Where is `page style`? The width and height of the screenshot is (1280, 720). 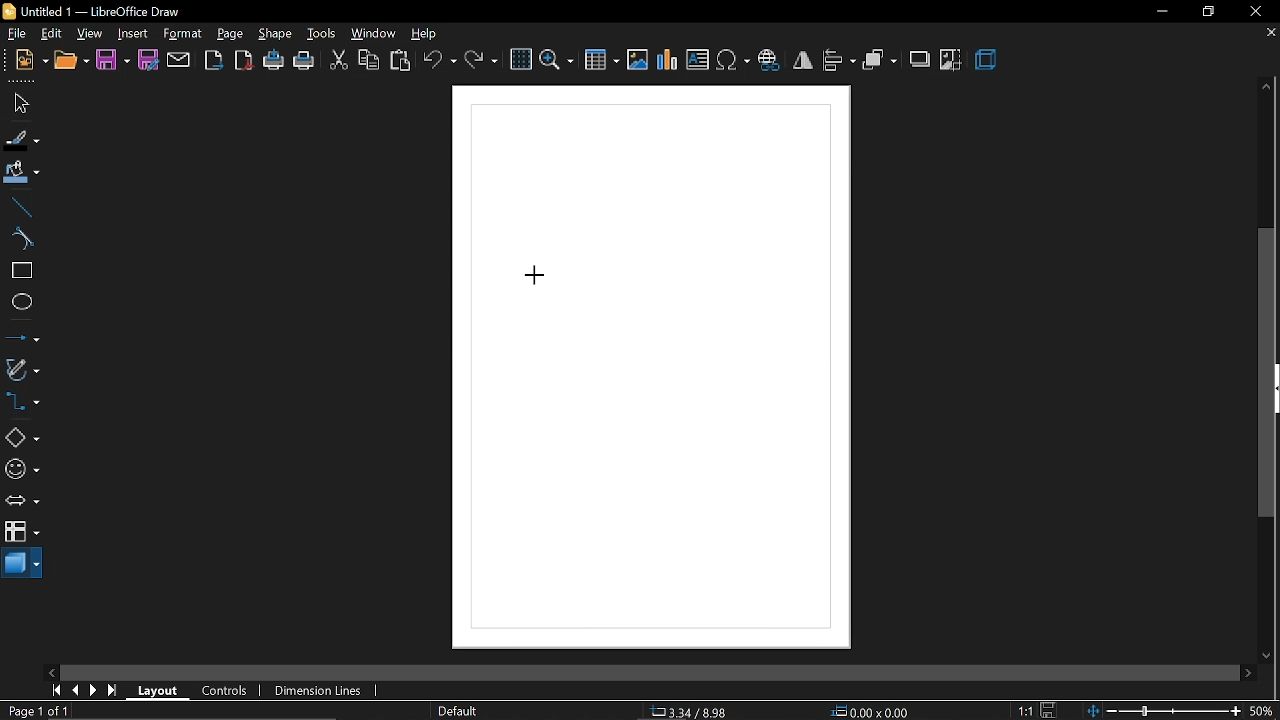
page style is located at coordinates (458, 711).